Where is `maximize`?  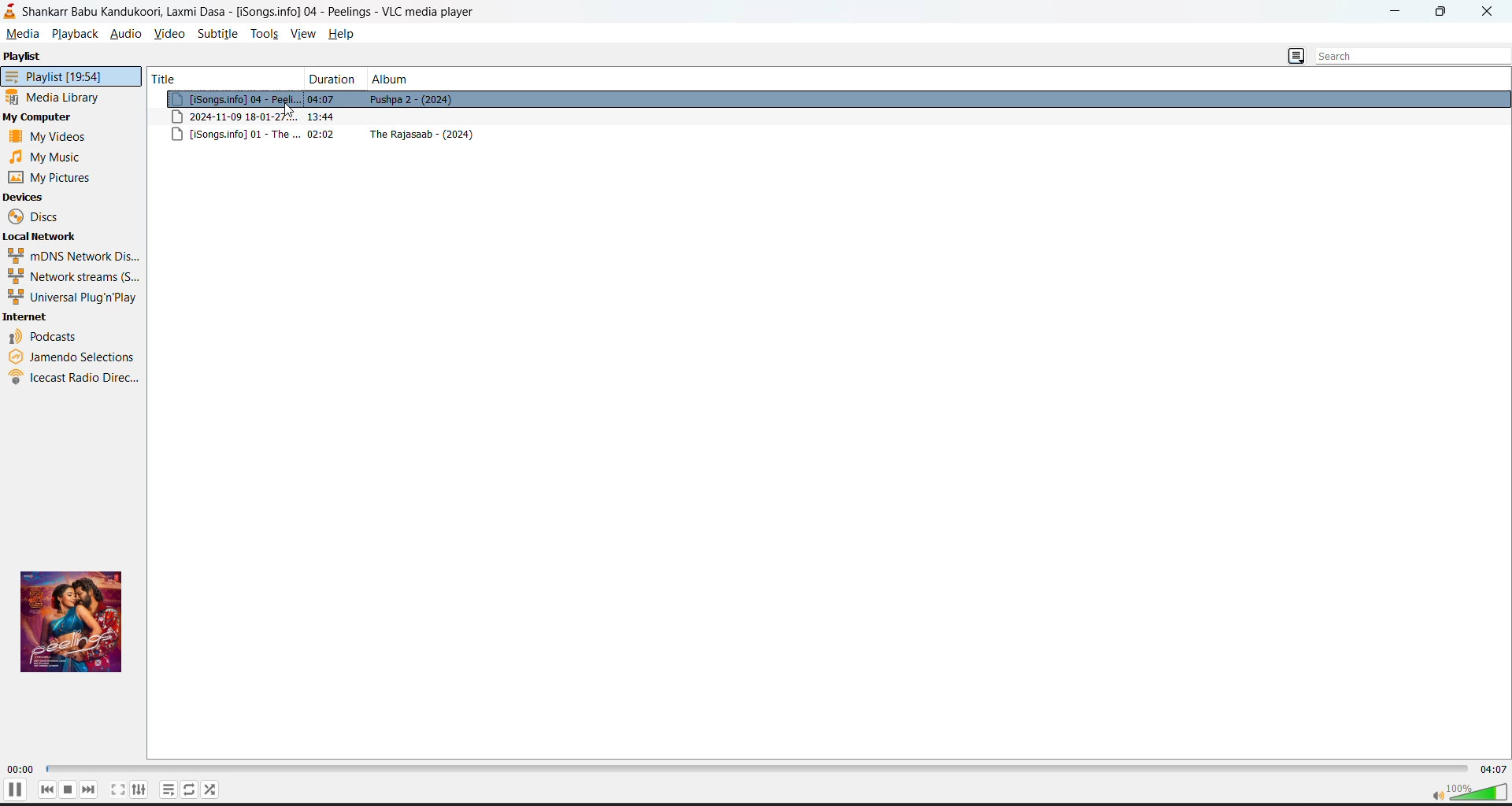
maximize is located at coordinates (1441, 12).